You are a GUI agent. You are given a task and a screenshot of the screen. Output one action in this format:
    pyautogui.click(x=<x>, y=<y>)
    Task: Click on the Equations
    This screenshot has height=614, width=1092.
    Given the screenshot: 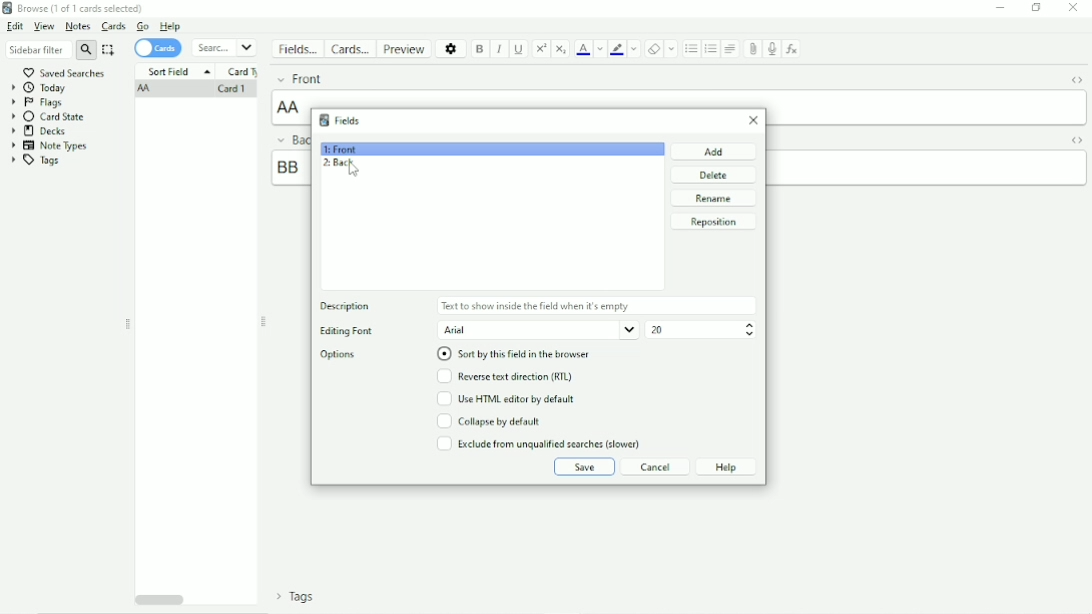 What is the action you would take?
    pyautogui.click(x=791, y=48)
    